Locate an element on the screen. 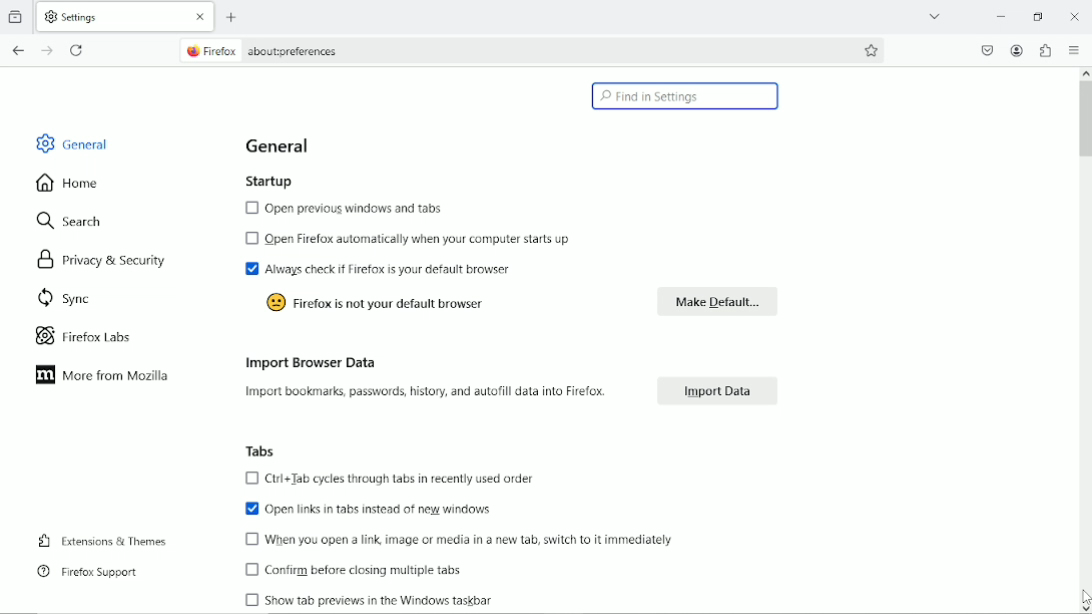  0 Show tab previews in the Windows taskbar is located at coordinates (373, 601).